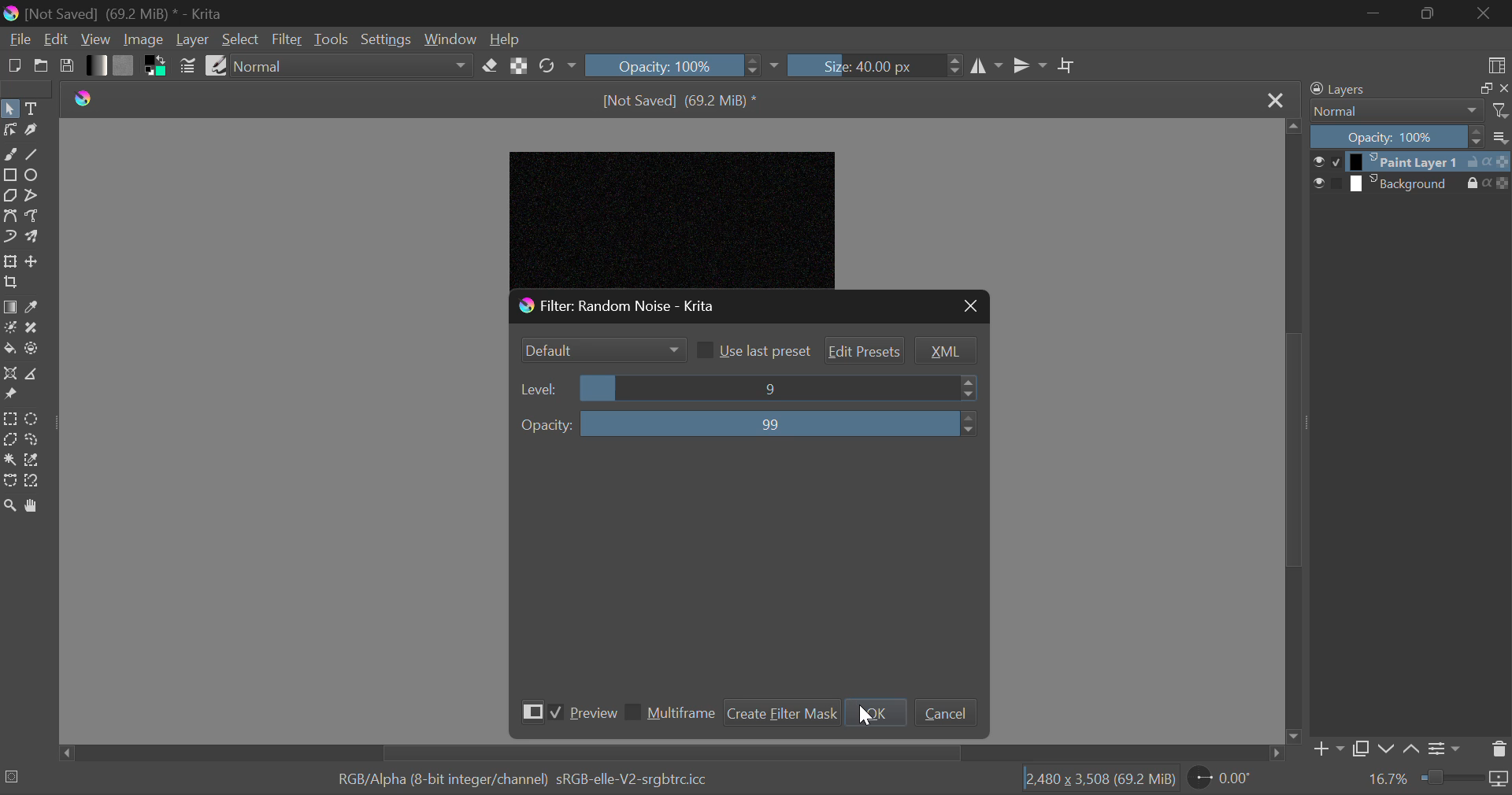 This screenshot has height=795, width=1512. What do you see at coordinates (57, 40) in the screenshot?
I see `Edit` at bounding box center [57, 40].